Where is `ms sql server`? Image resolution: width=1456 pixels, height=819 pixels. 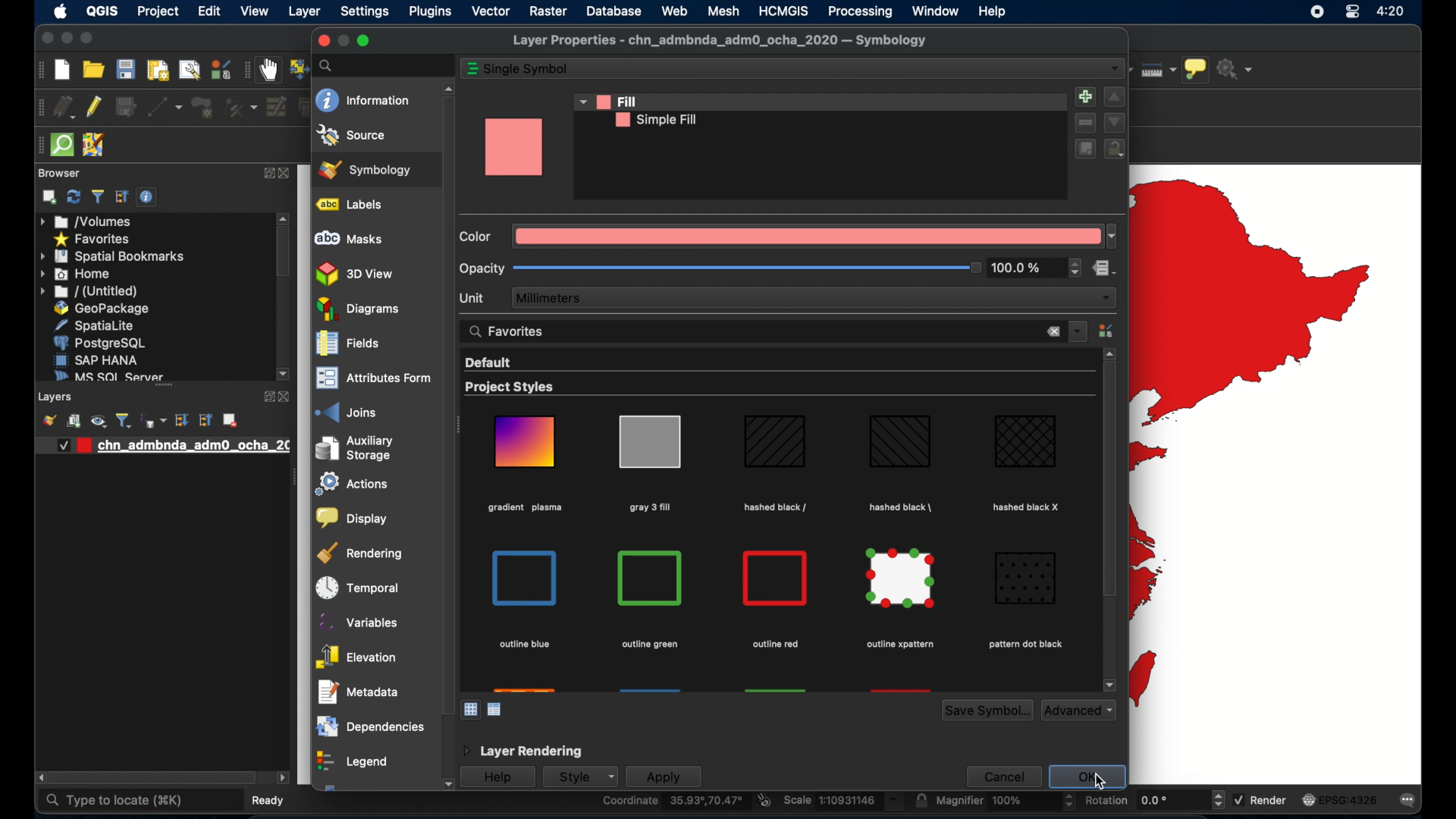
ms sql server is located at coordinates (106, 375).